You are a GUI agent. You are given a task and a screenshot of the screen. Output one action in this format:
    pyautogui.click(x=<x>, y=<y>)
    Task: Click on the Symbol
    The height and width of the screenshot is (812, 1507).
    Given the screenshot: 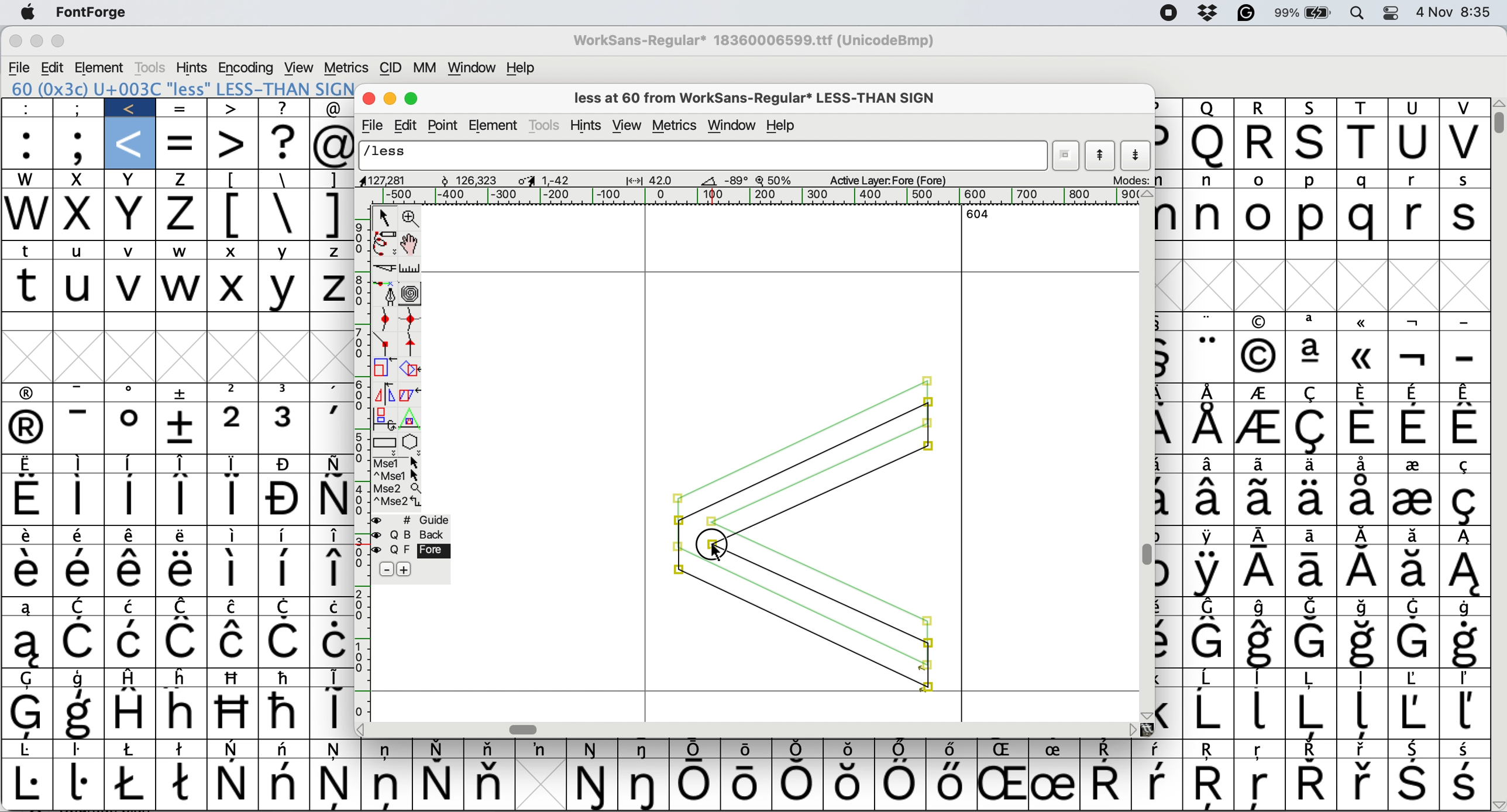 What is the action you would take?
    pyautogui.click(x=332, y=463)
    